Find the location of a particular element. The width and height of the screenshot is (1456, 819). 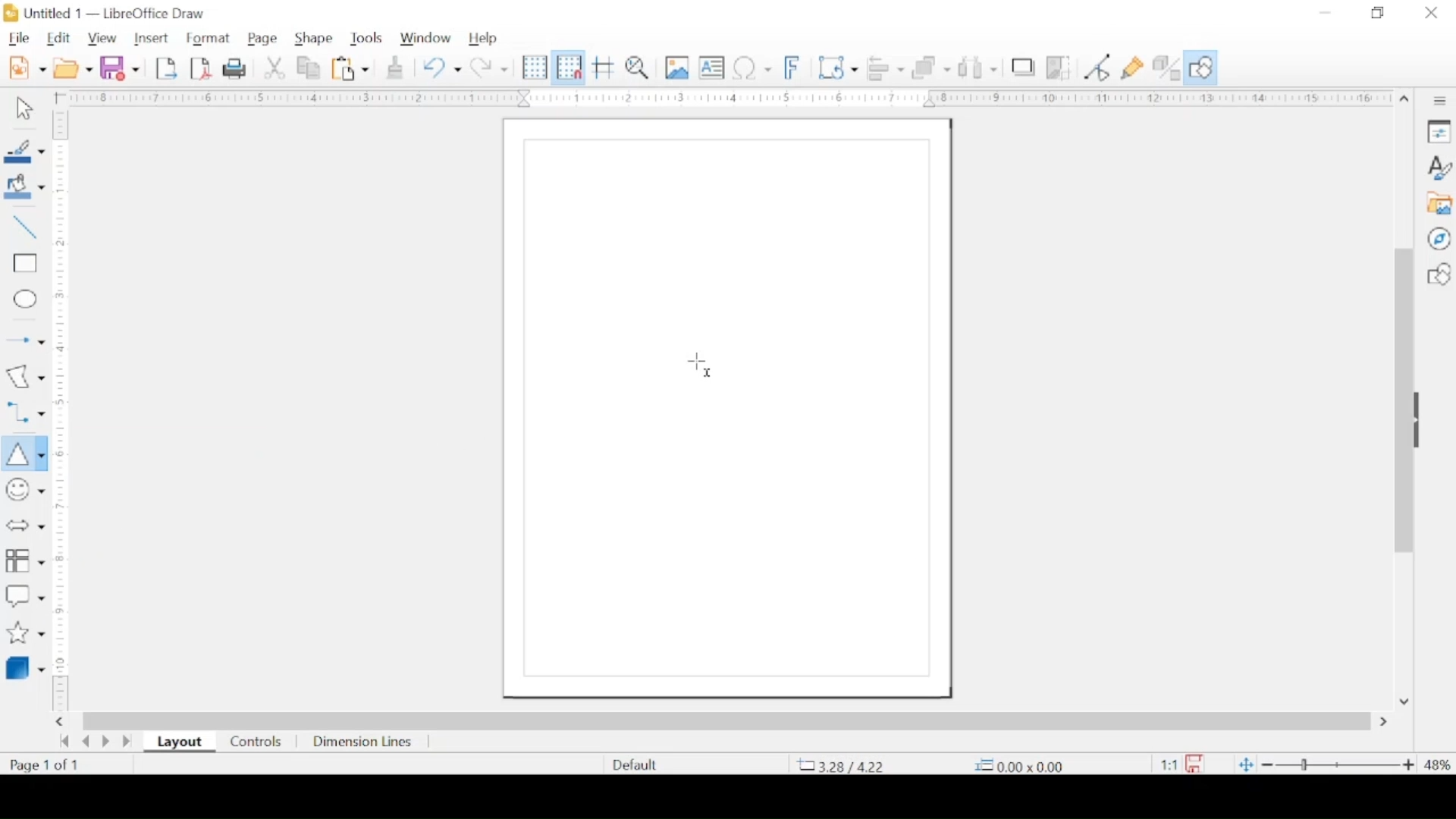

properties is located at coordinates (1439, 130).